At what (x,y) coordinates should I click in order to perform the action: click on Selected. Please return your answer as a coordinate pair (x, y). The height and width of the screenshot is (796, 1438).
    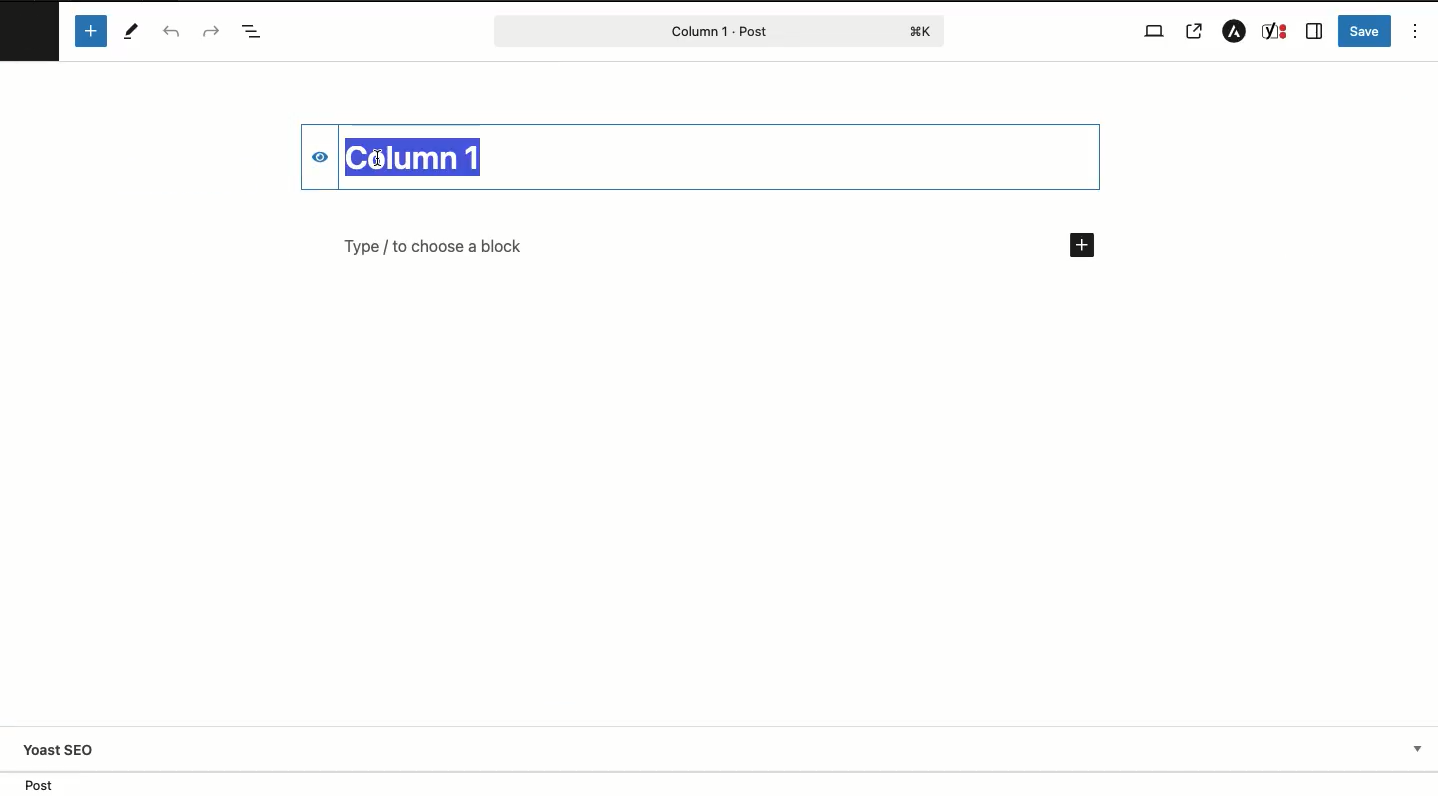
    Looking at the image, I should click on (534, 151).